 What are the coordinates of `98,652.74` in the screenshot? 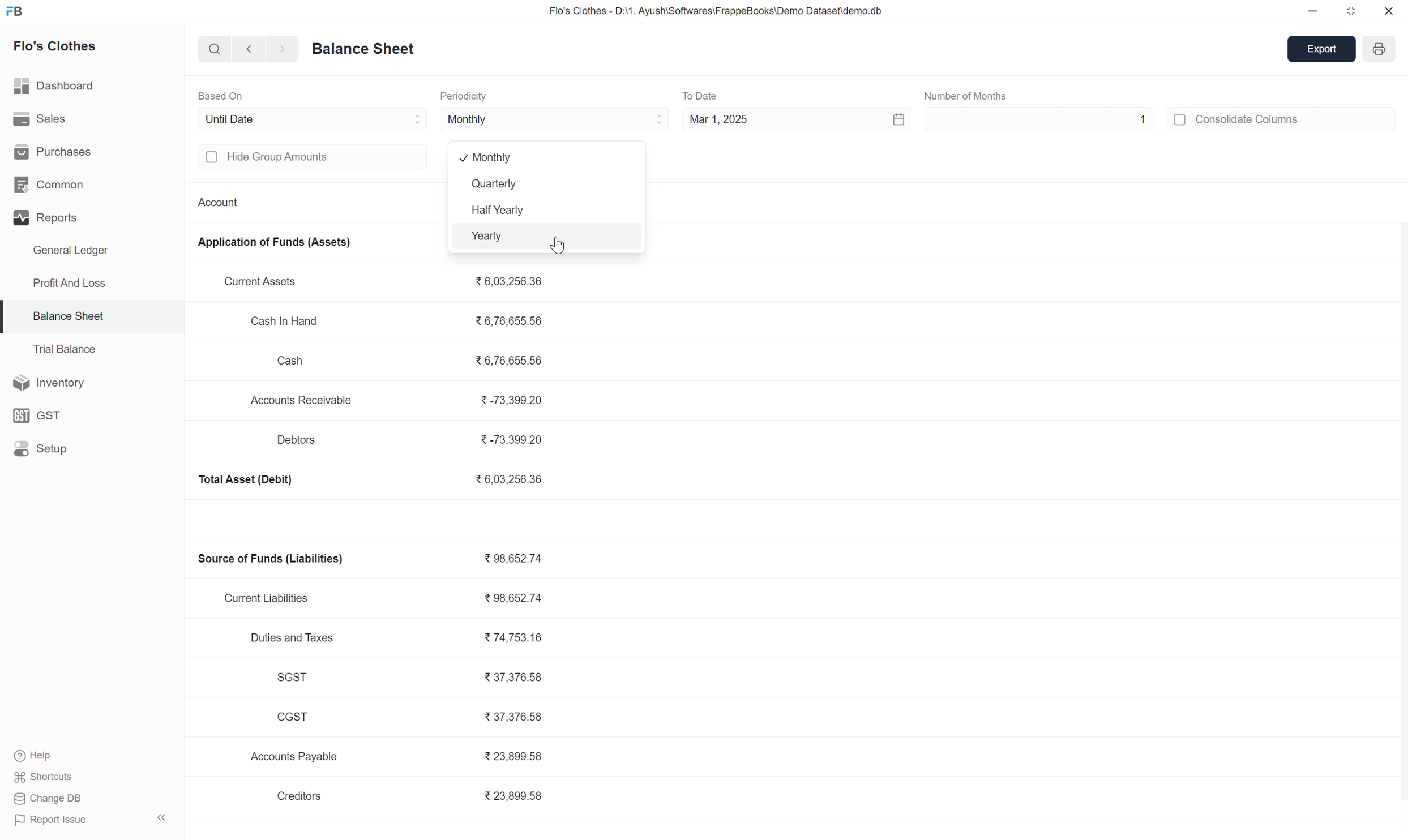 It's located at (513, 599).